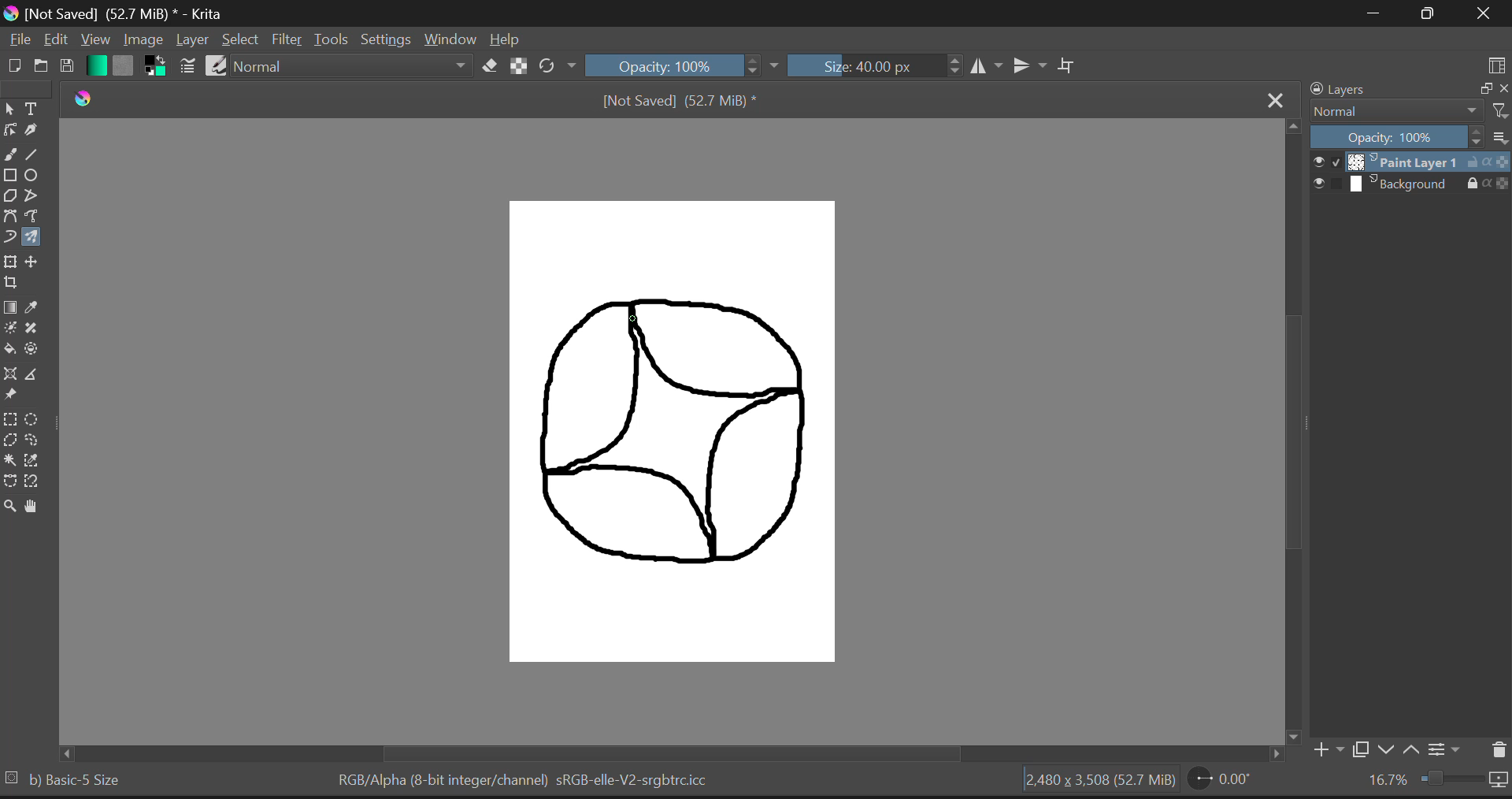 The image size is (1512, 799). Describe the element at coordinates (684, 65) in the screenshot. I see `Opacity 100%` at that location.